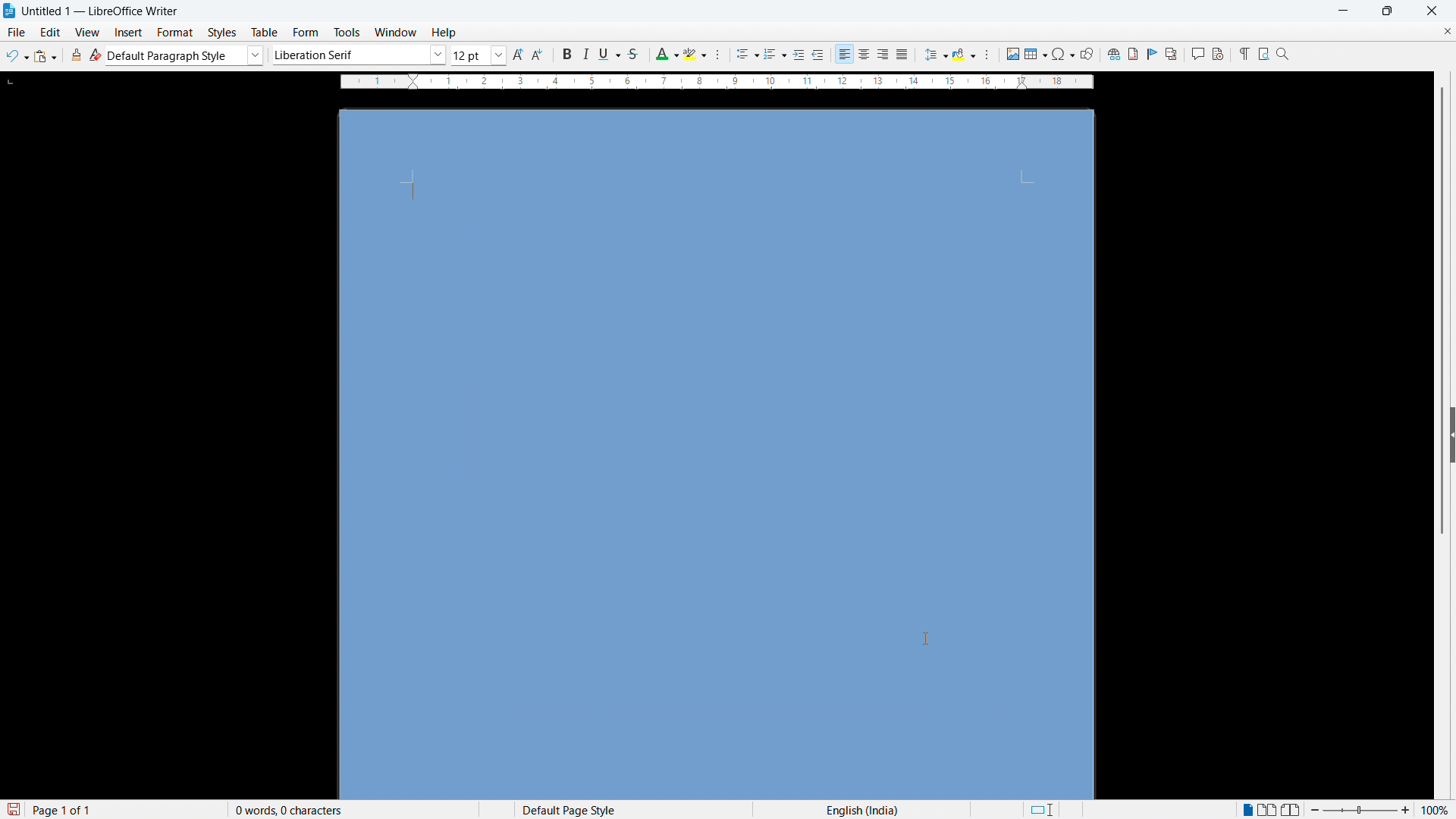  Describe the element at coordinates (632, 54) in the screenshot. I see `Strike through ` at that location.